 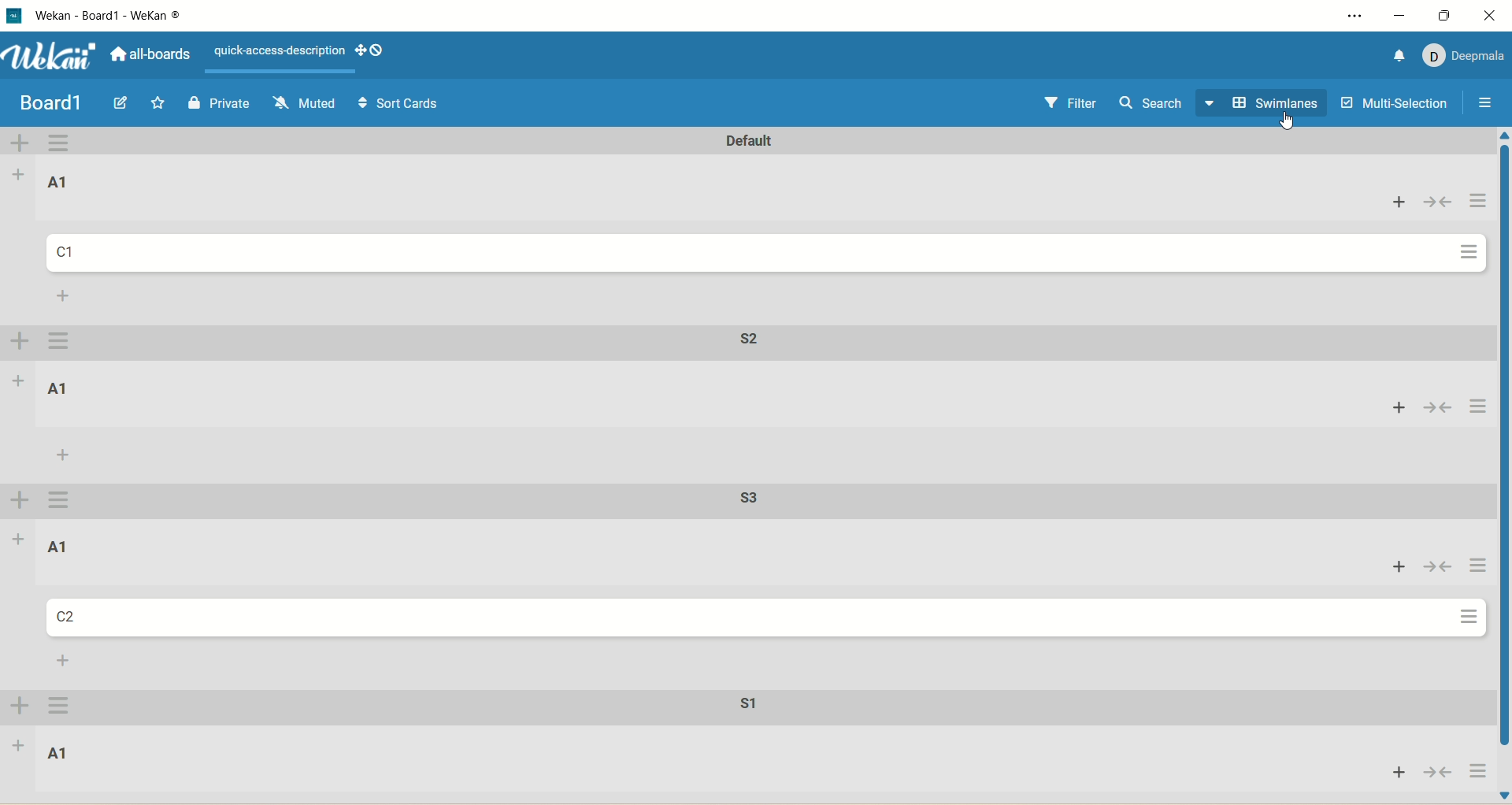 What do you see at coordinates (1477, 408) in the screenshot?
I see `actions` at bounding box center [1477, 408].